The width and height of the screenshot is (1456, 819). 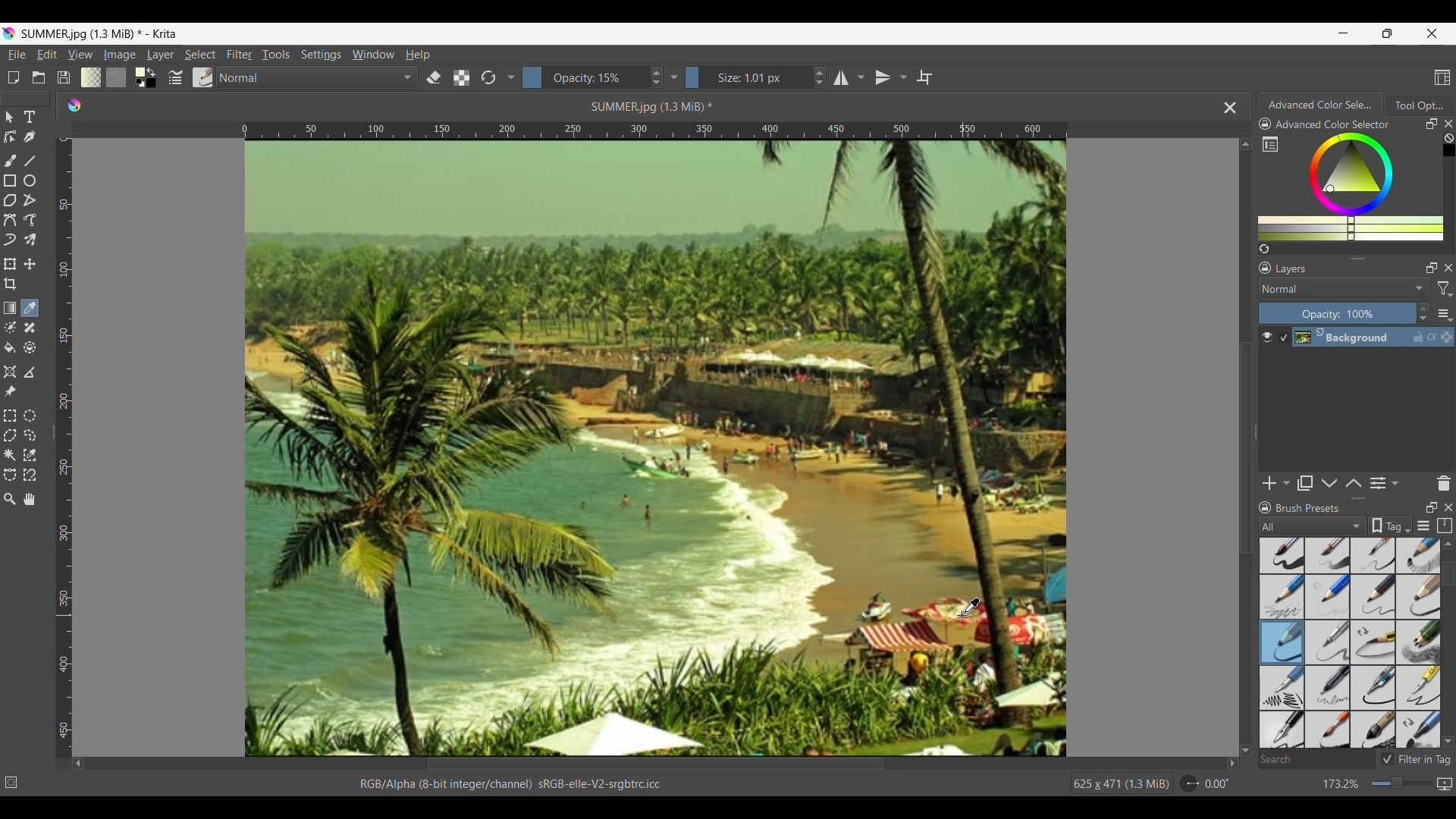 I want to click on SUMMER jpg (1.3 MiB) *, so click(x=654, y=106).